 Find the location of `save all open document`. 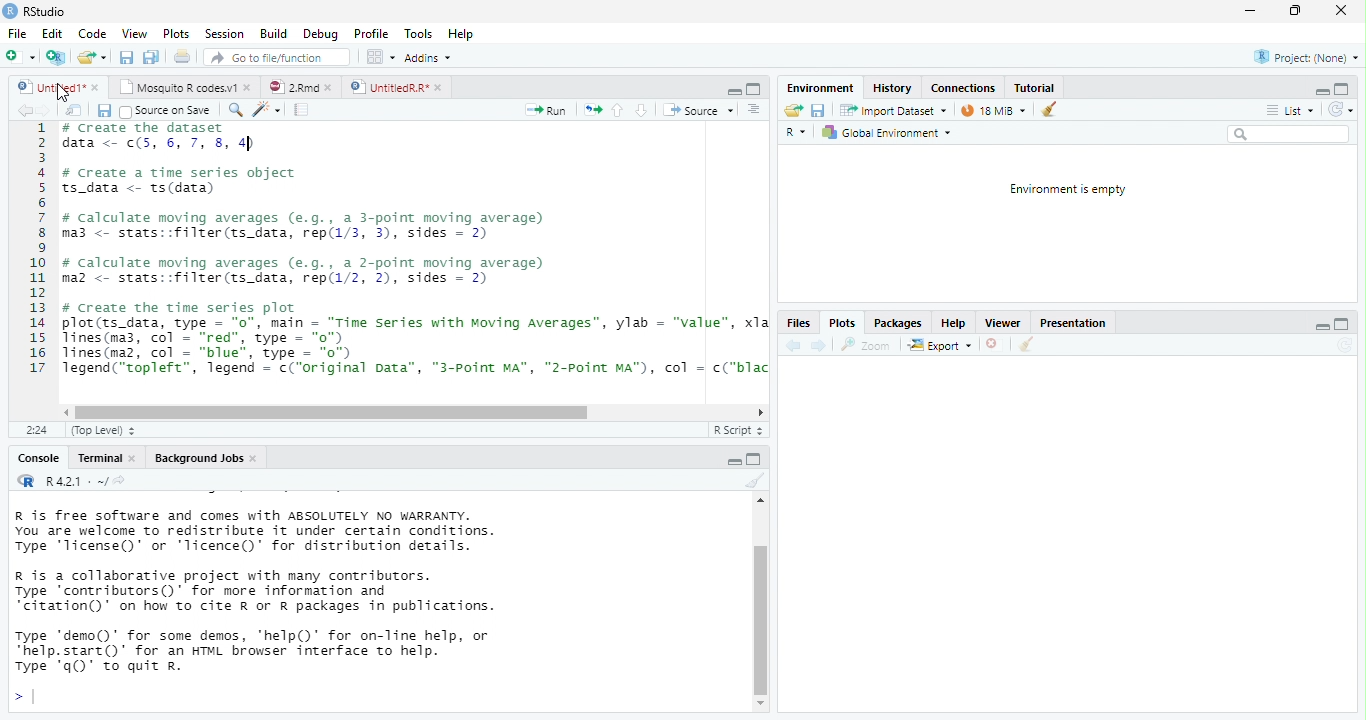

save all open document is located at coordinates (126, 57).